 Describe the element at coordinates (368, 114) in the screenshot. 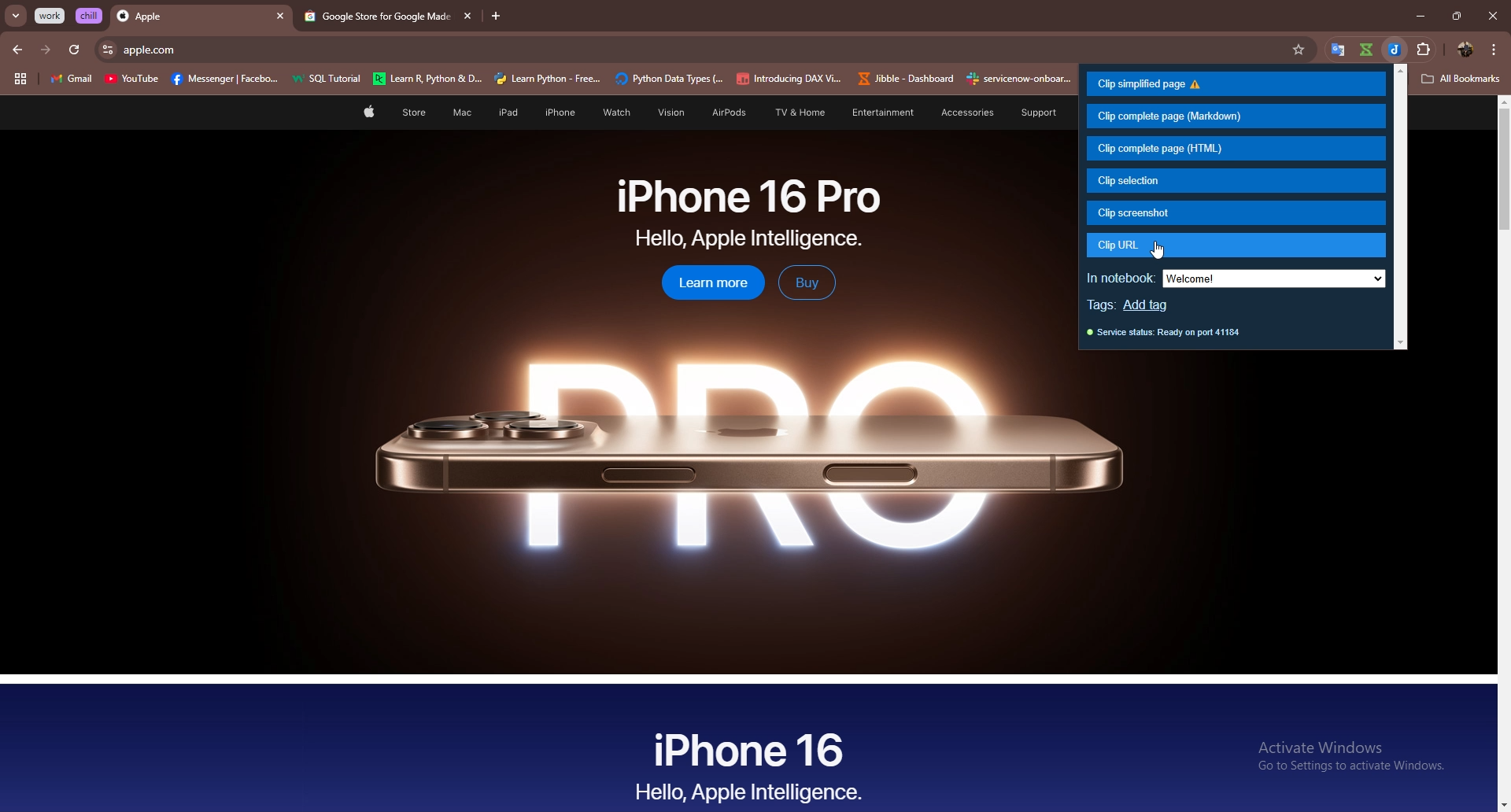

I see `Apple page` at that location.